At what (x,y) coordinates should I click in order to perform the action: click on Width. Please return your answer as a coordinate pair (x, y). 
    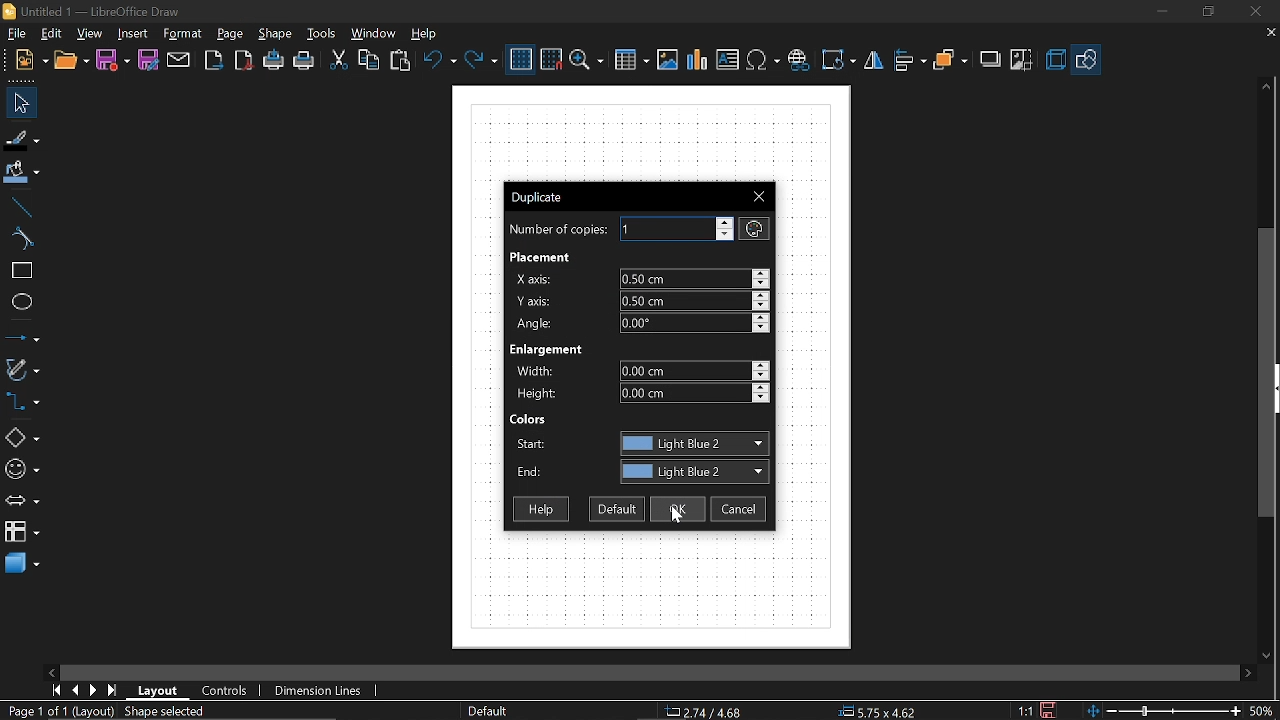
    Looking at the image, I should click on (541, 371).